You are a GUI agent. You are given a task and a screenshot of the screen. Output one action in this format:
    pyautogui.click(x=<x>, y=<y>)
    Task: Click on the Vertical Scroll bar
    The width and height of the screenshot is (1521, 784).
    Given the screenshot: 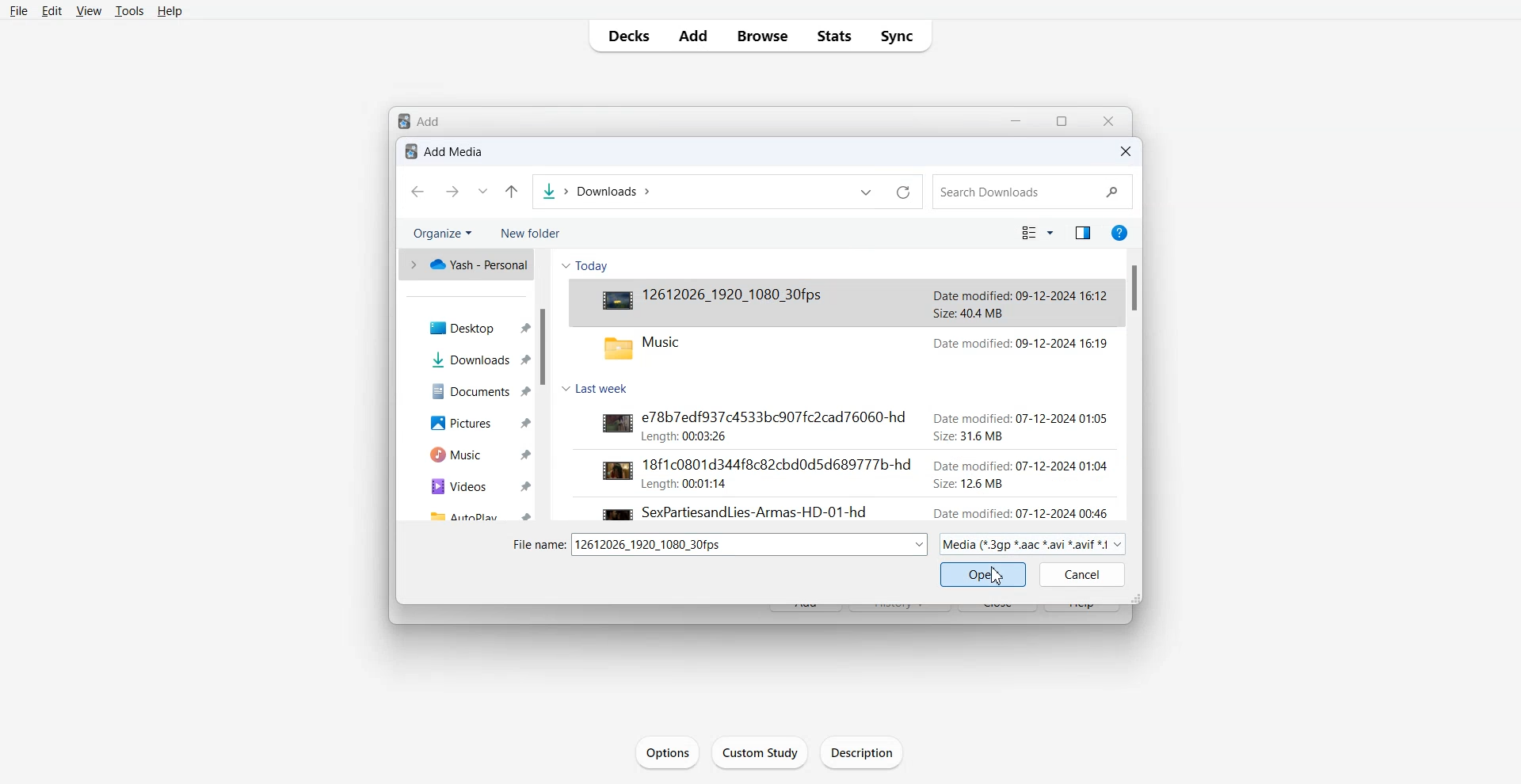 What is the action you would take?
    pyautogui.click(x=544, y=348)
    